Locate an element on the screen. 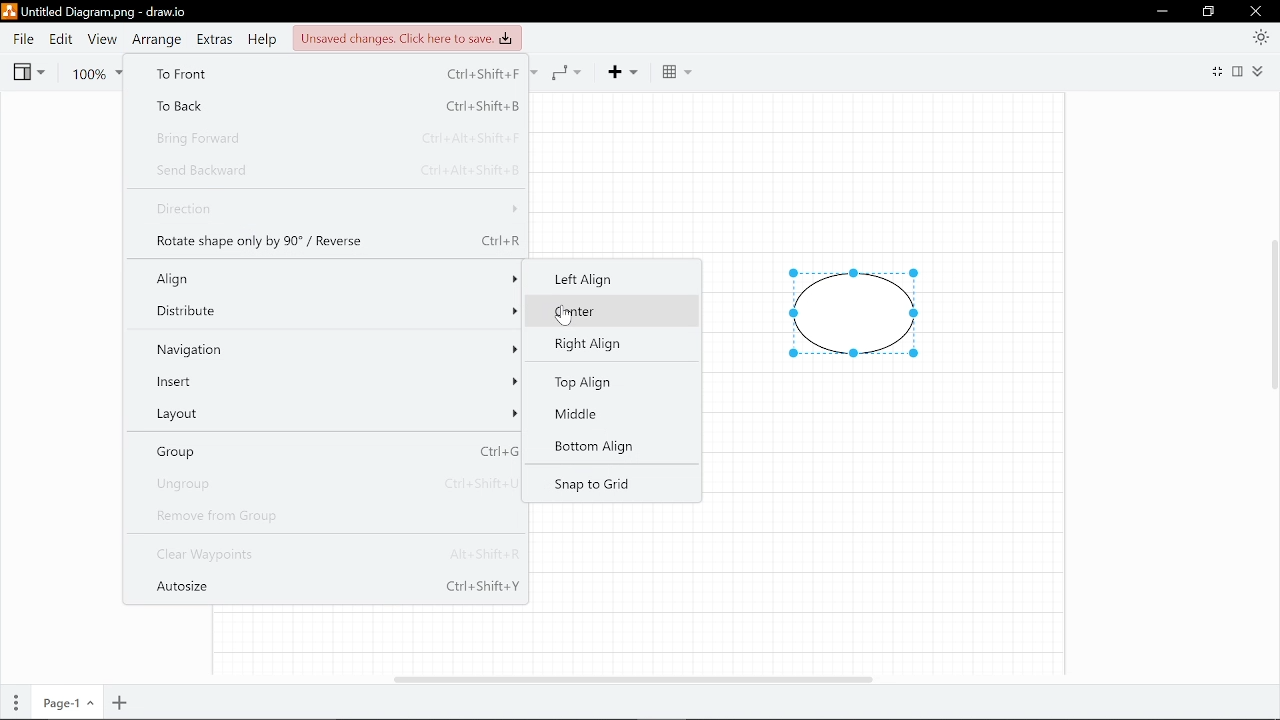 The image size is (1280, 720). Navigation is located at coordinates (331, 348).